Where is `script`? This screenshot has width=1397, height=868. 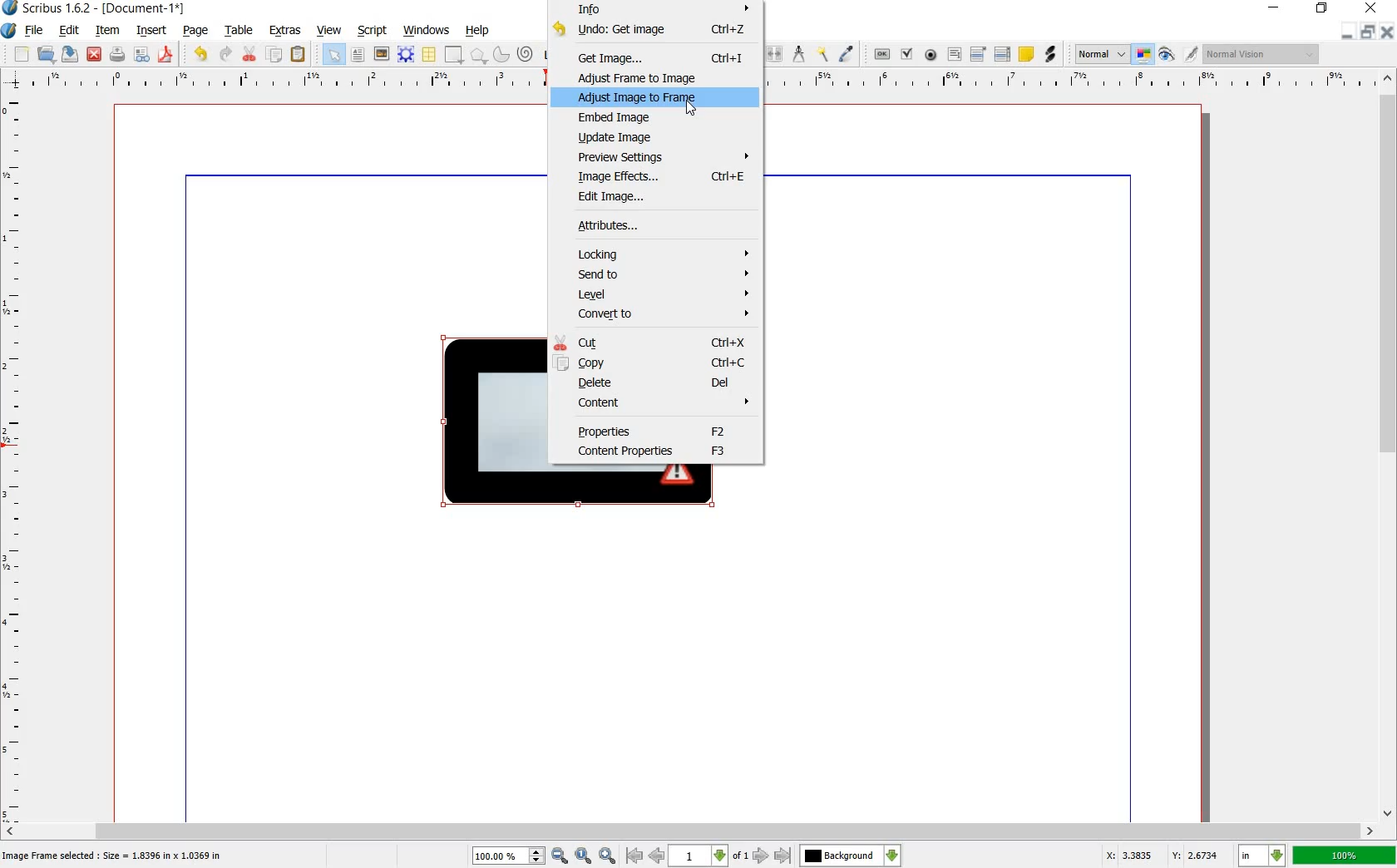 script is located at coordinates (371, 29).